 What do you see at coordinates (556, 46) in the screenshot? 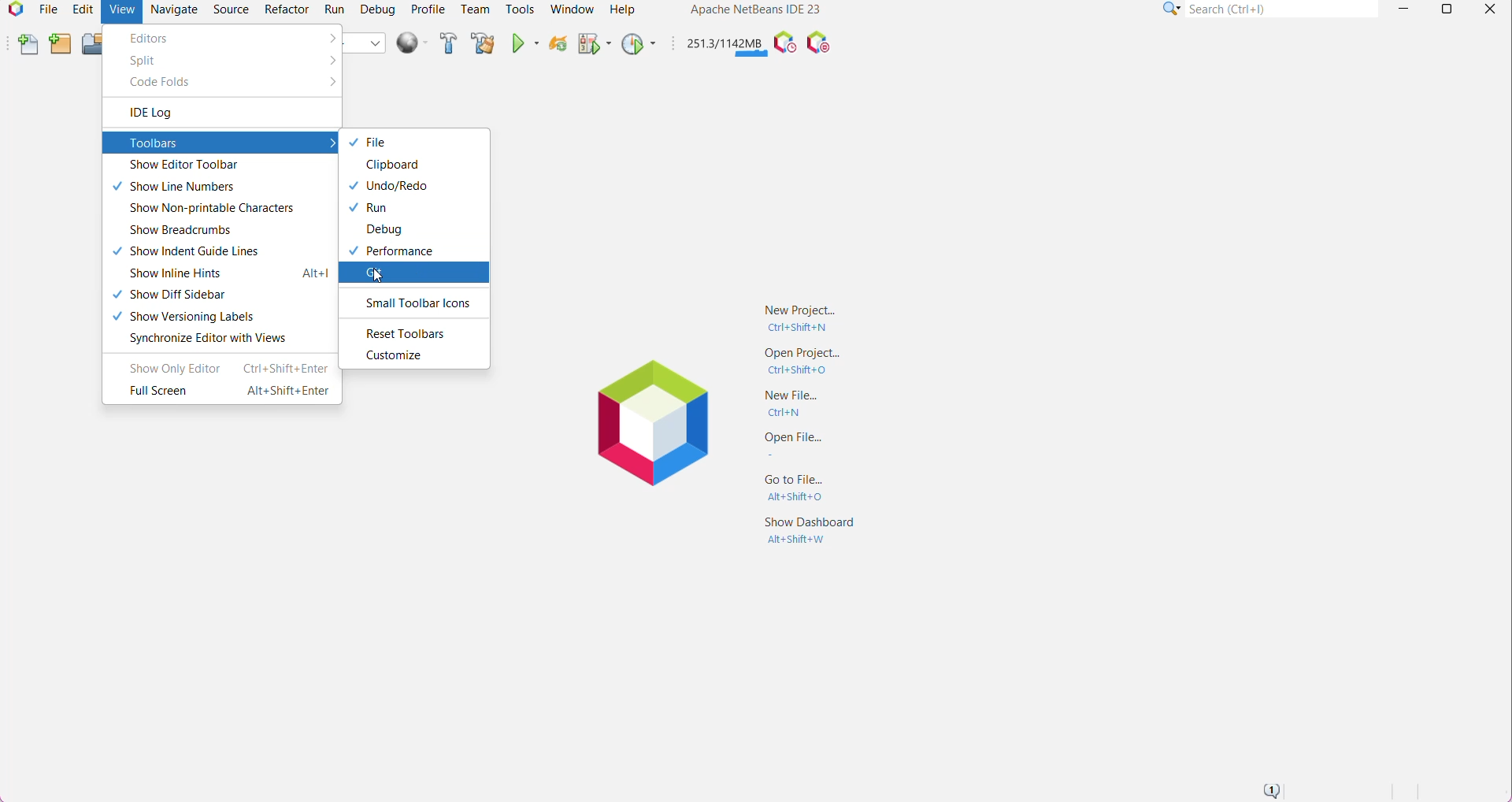
I see `Reload` at bounding box center [556, 46].